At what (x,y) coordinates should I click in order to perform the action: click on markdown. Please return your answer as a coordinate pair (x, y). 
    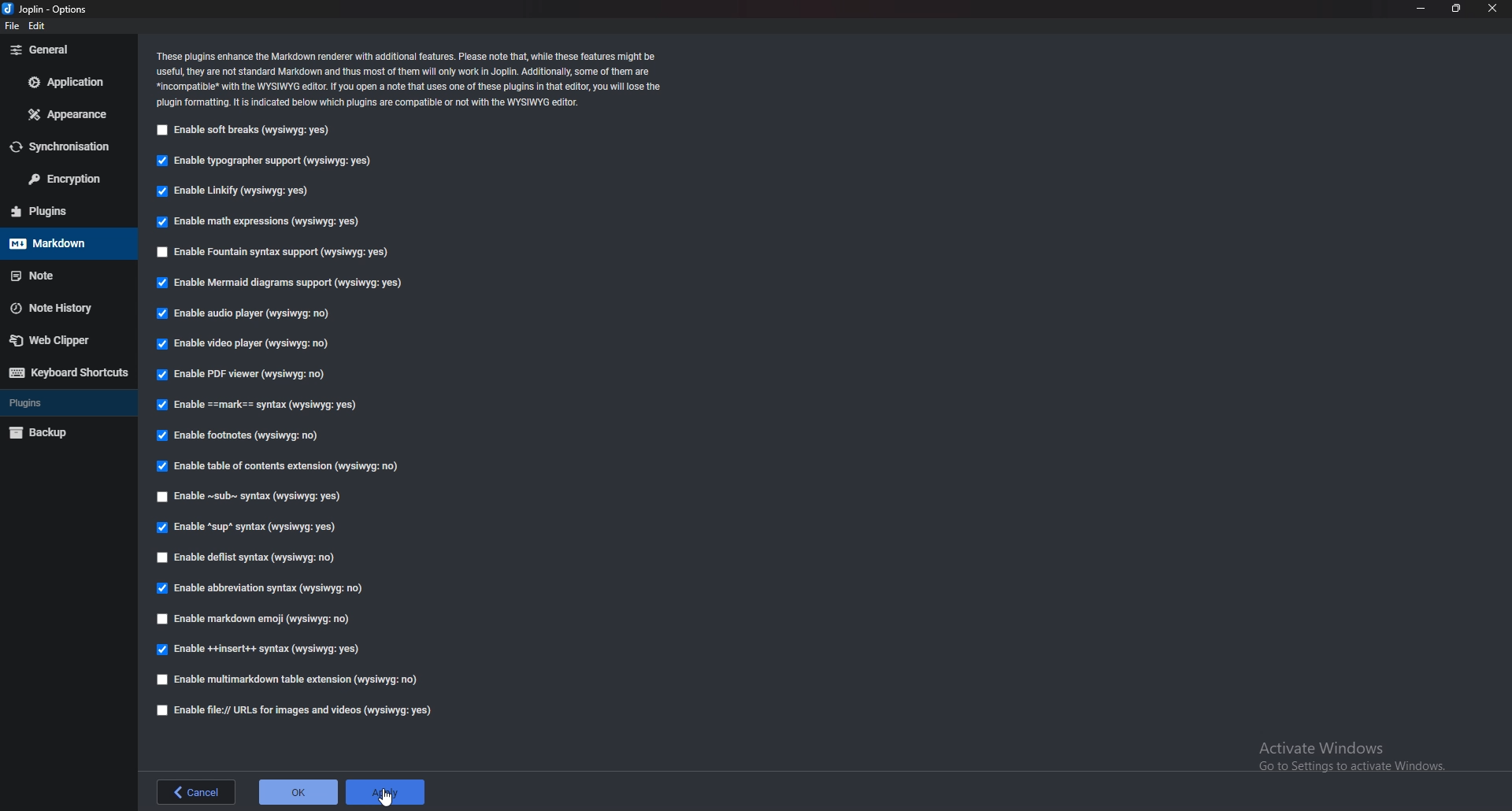
    Looking at the image, I should click on (61, 243).